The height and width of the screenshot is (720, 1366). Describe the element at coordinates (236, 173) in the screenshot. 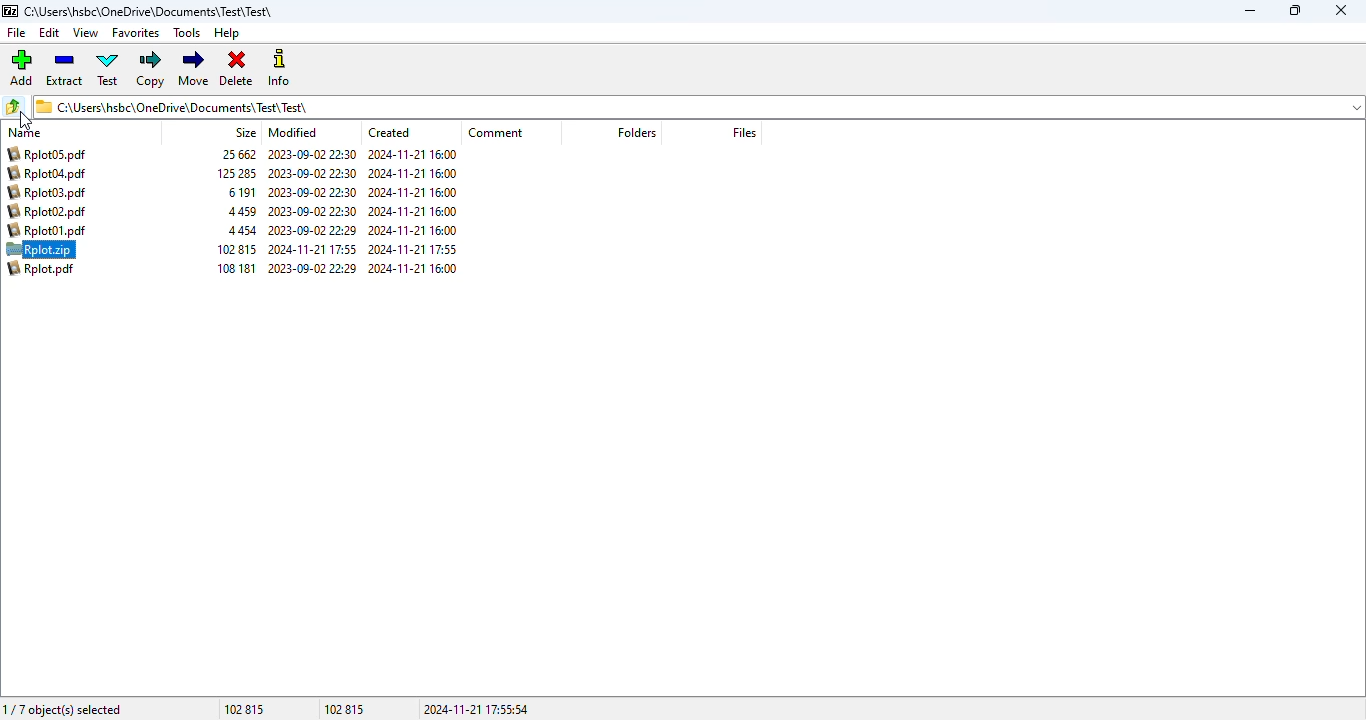

I see `125 285` at that location.